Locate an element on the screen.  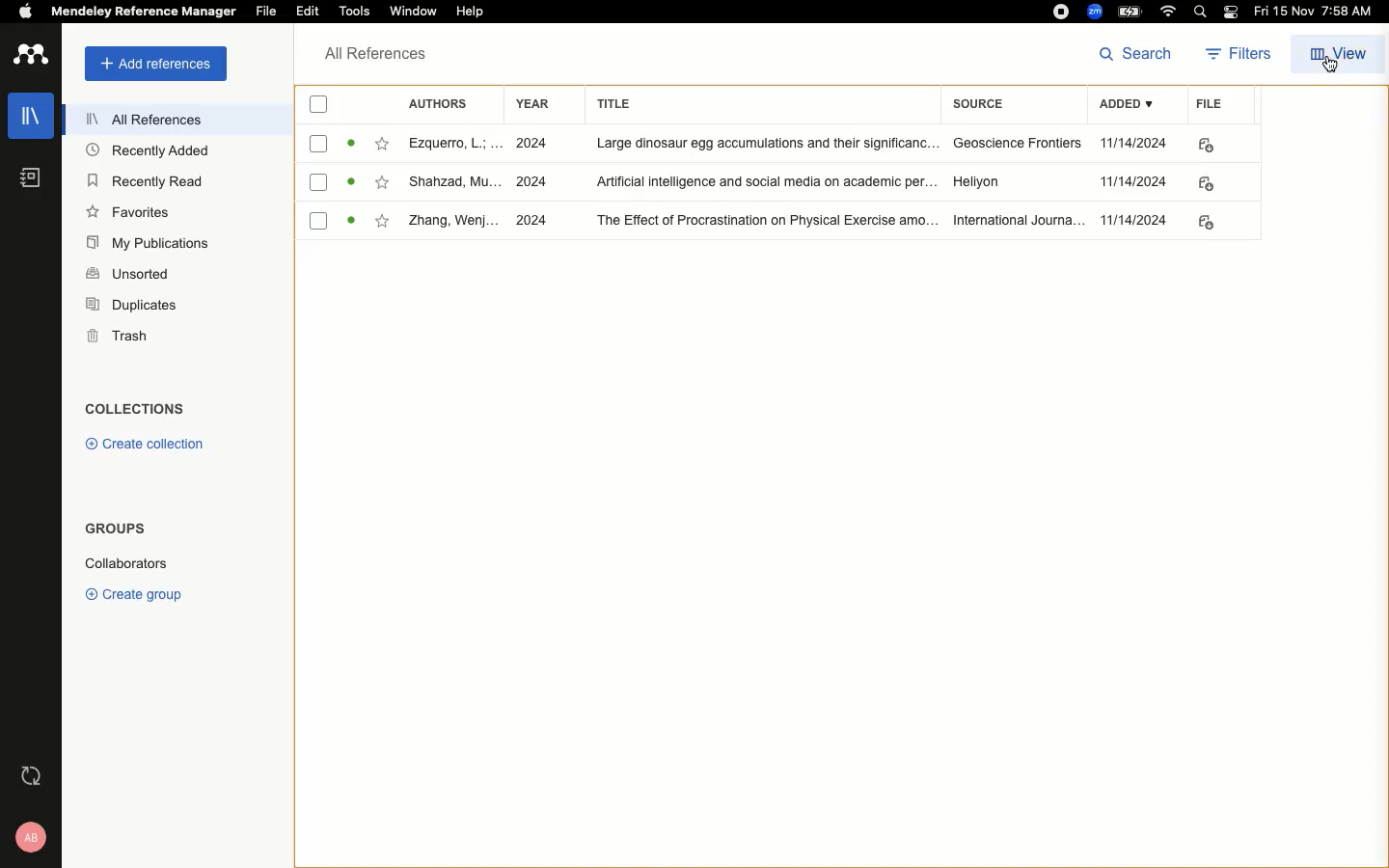
PDF is located at coordinates (1212, 223).